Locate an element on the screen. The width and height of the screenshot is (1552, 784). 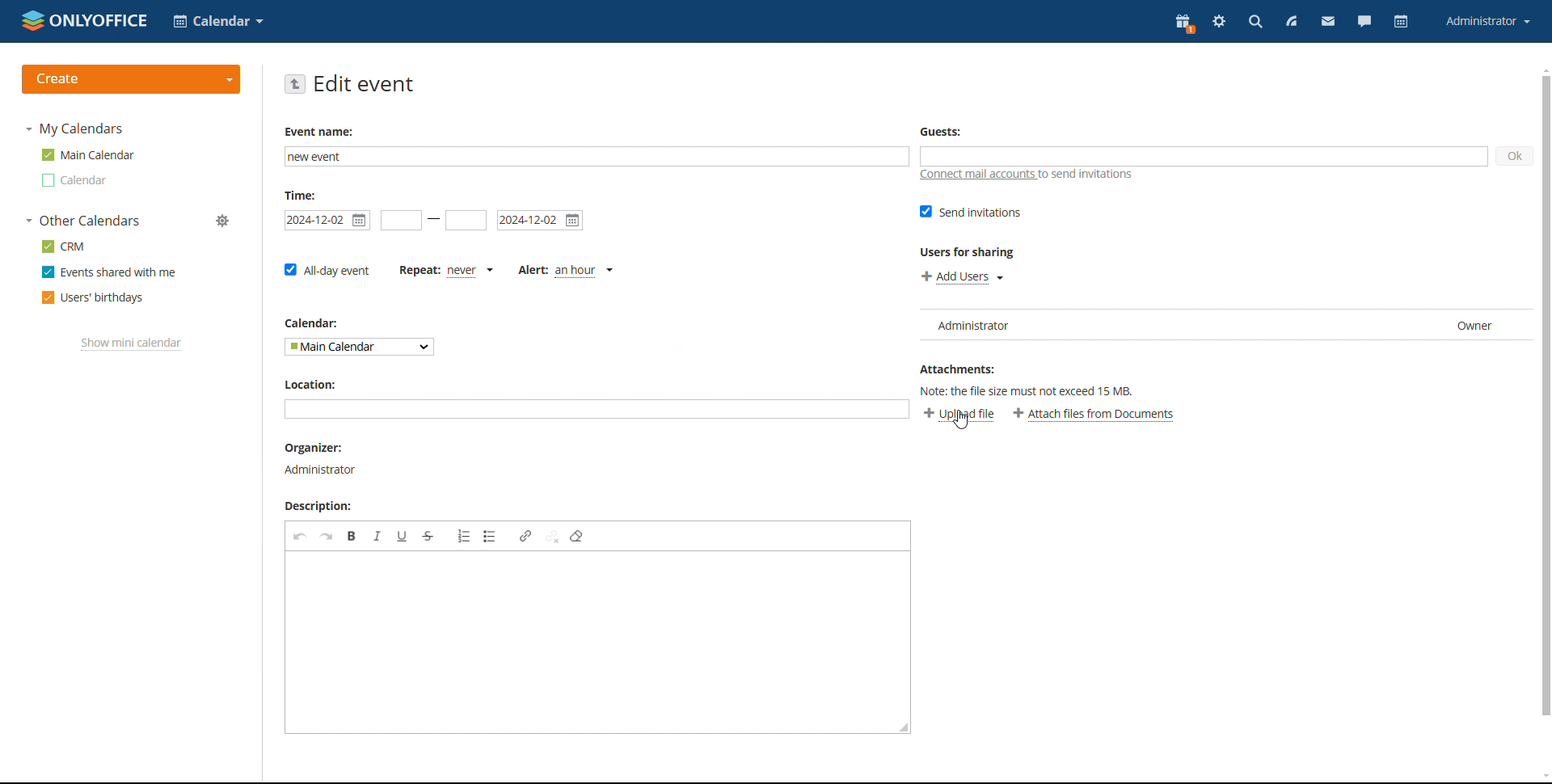
start date is located at coordinates (402, 220).